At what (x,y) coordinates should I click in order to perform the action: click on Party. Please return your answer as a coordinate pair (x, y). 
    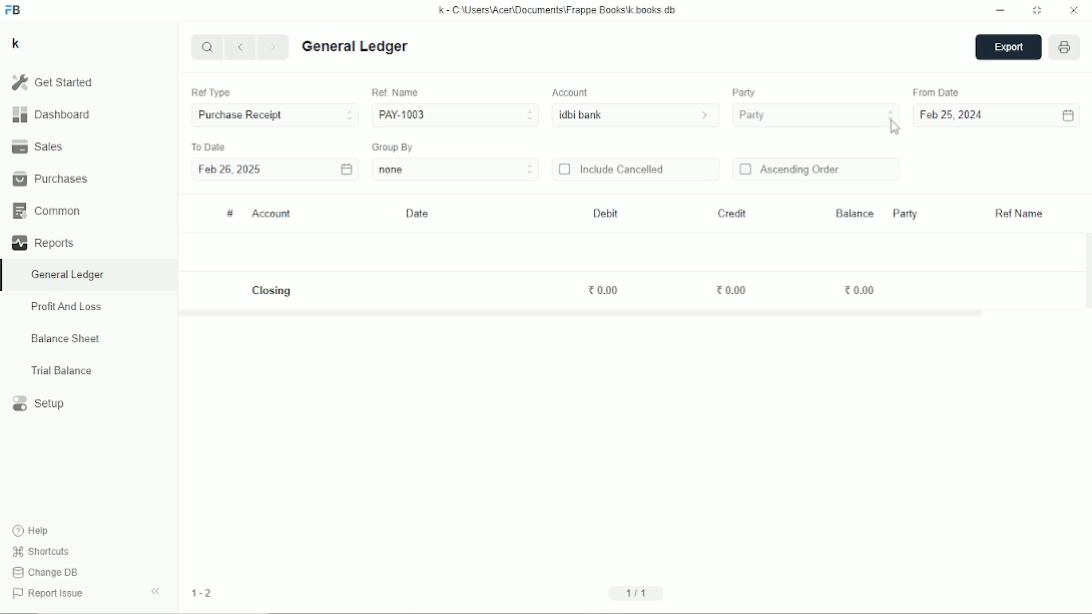
    Looking at the image, I should click on (744, 93).